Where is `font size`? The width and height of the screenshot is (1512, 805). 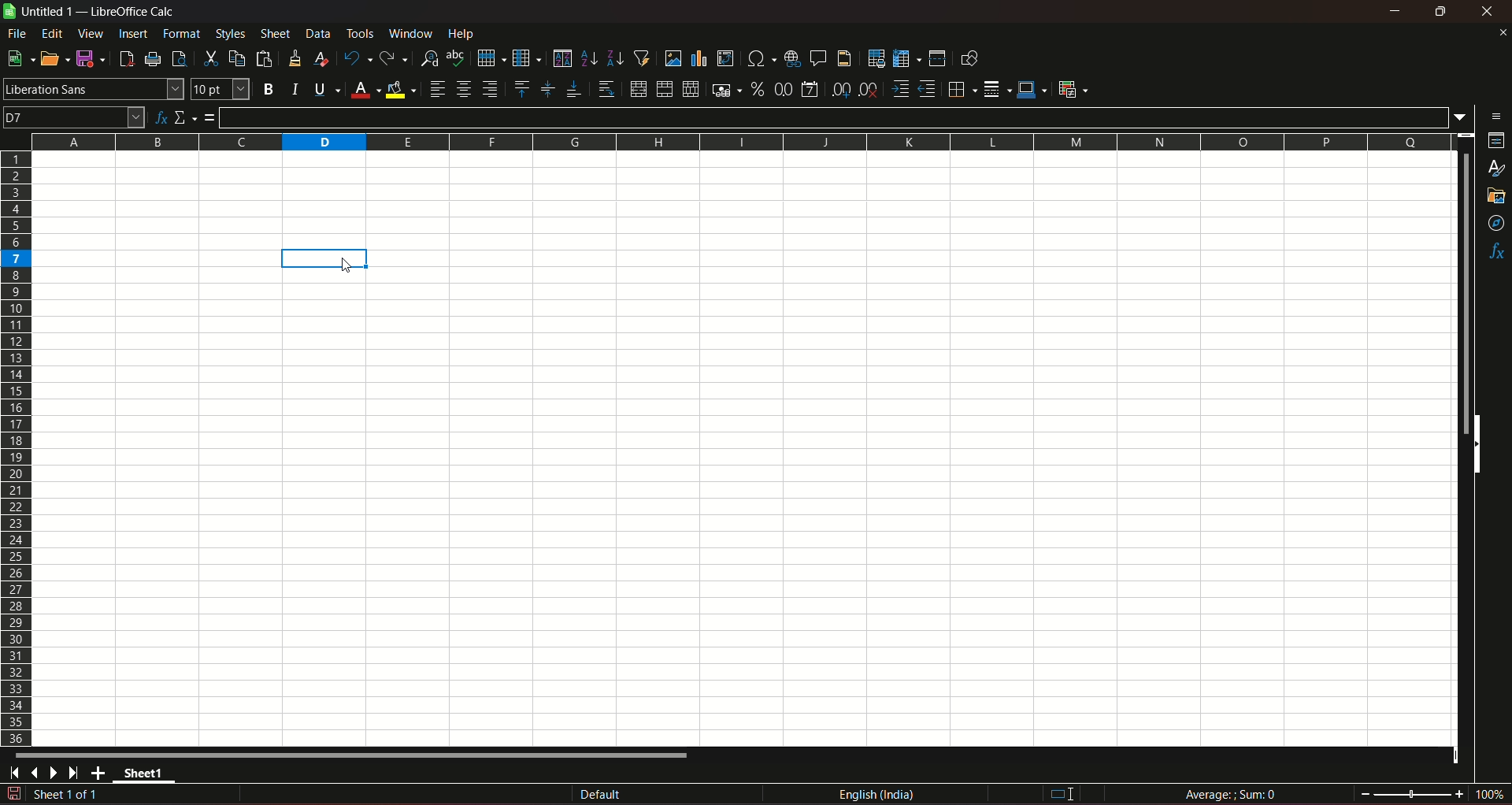 font size is located at coordinates (218, 90).